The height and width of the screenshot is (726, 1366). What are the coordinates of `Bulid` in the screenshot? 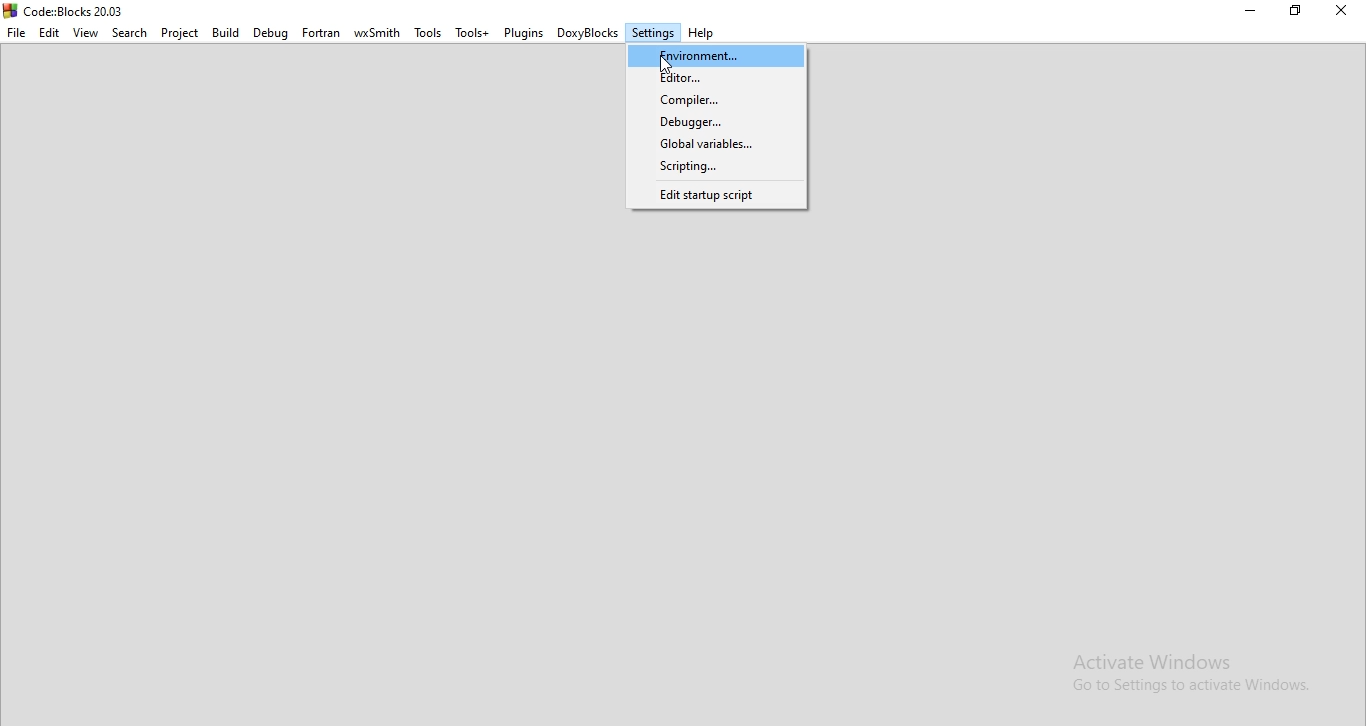 It's located at (225, 32).